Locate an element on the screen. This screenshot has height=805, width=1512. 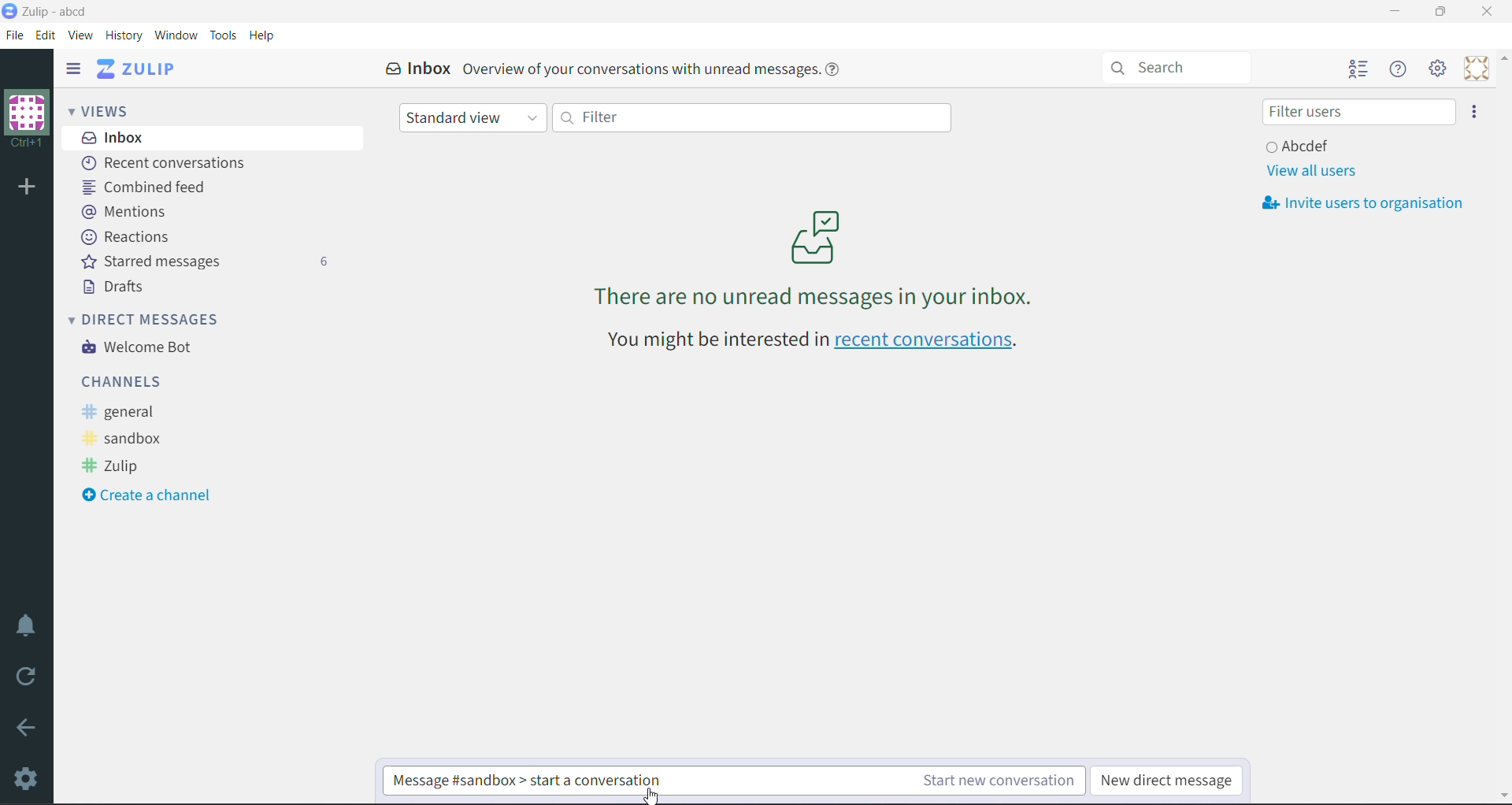
Hide user list is located at coordinates (1357, 70).